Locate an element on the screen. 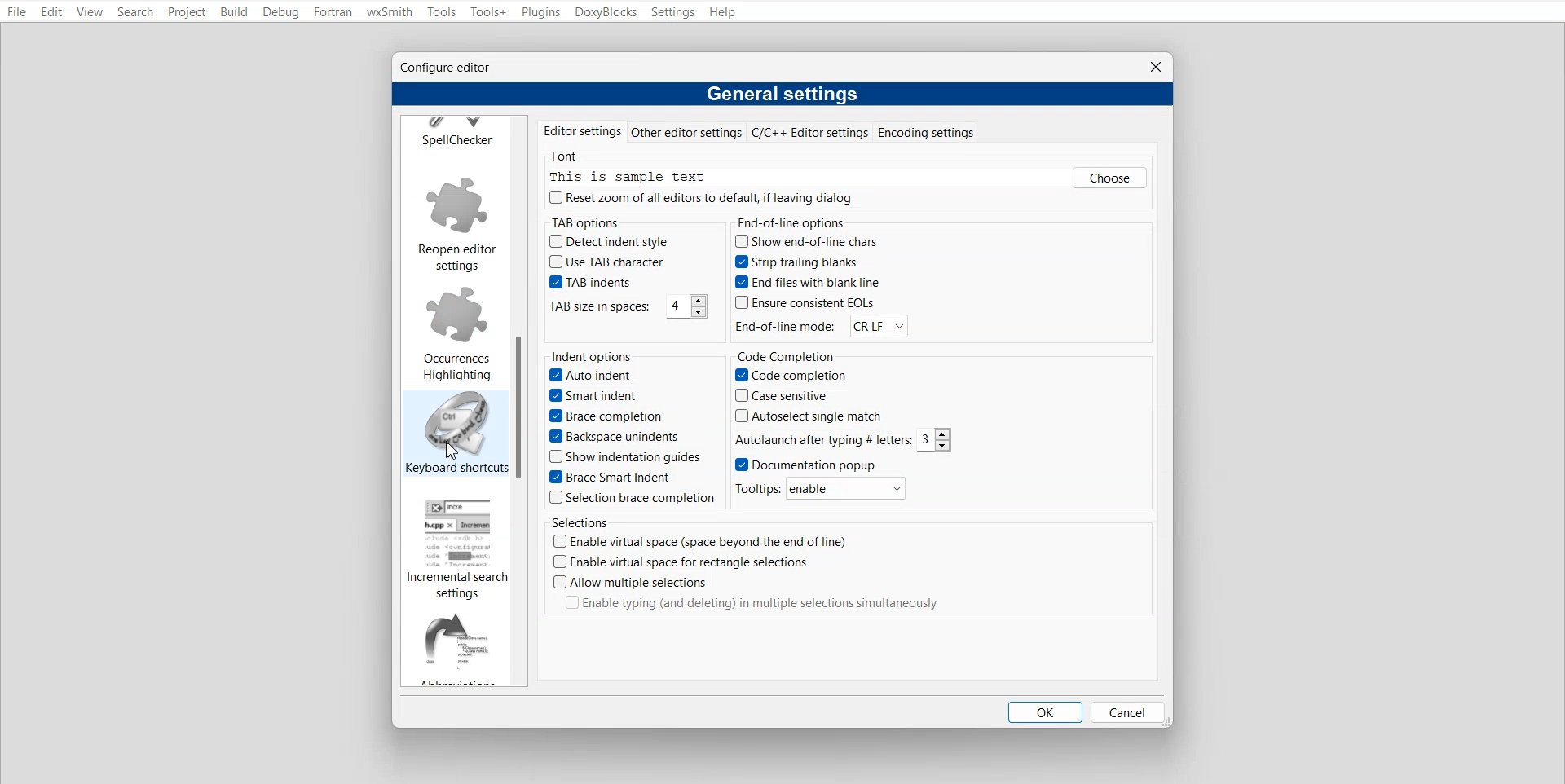 The width and height of the screenshot is (1565, 784). |_| Enable typing (and deleting) in multiple selections simultaneously is located at coordinates (765, 605).